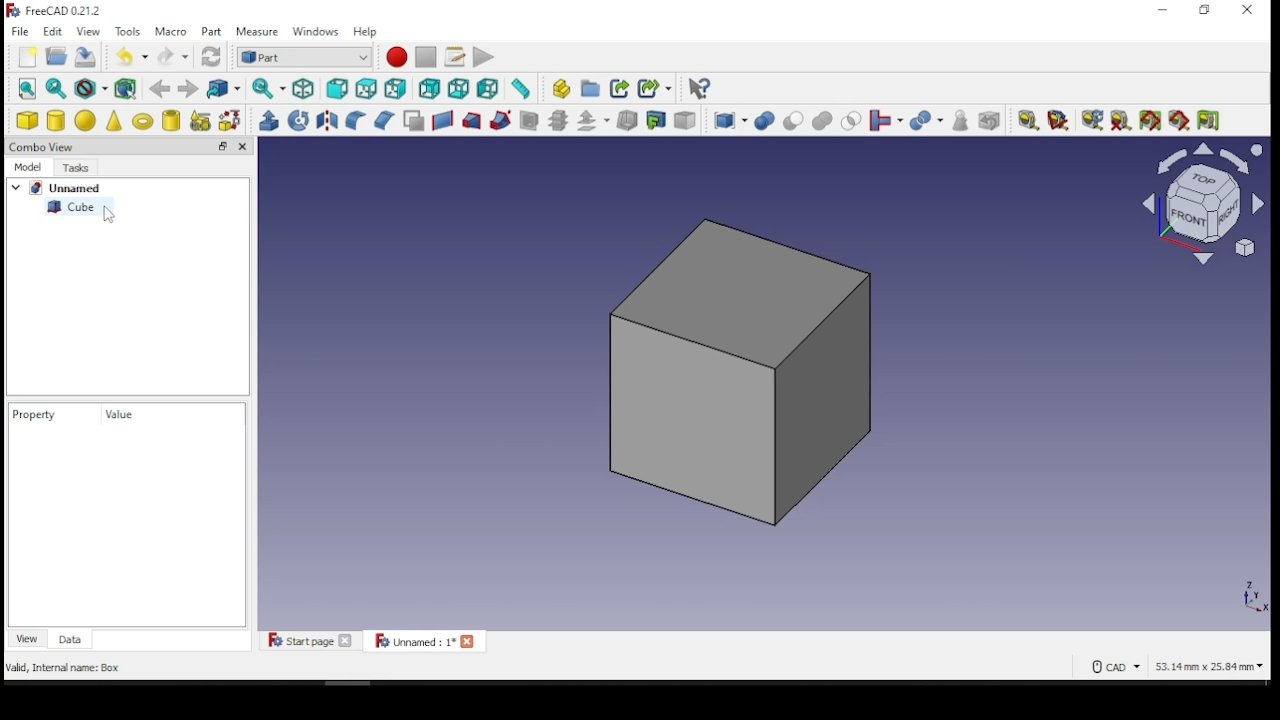  What do you see at coordinates (259, 33) in the screenshot?
I see `measure` at bounding box center [259, 33].